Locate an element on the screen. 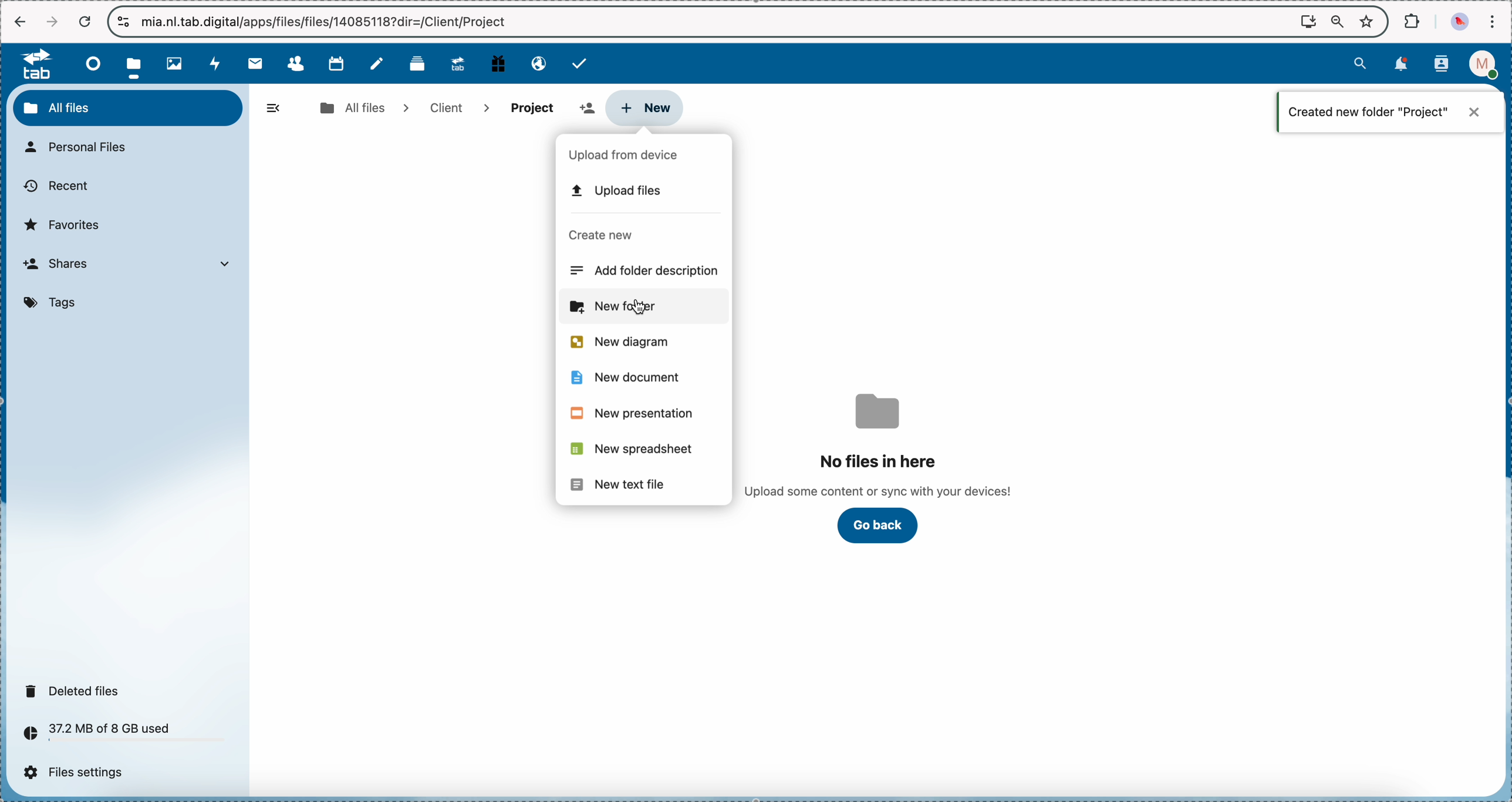  recent is located at coordinates (55, 187).